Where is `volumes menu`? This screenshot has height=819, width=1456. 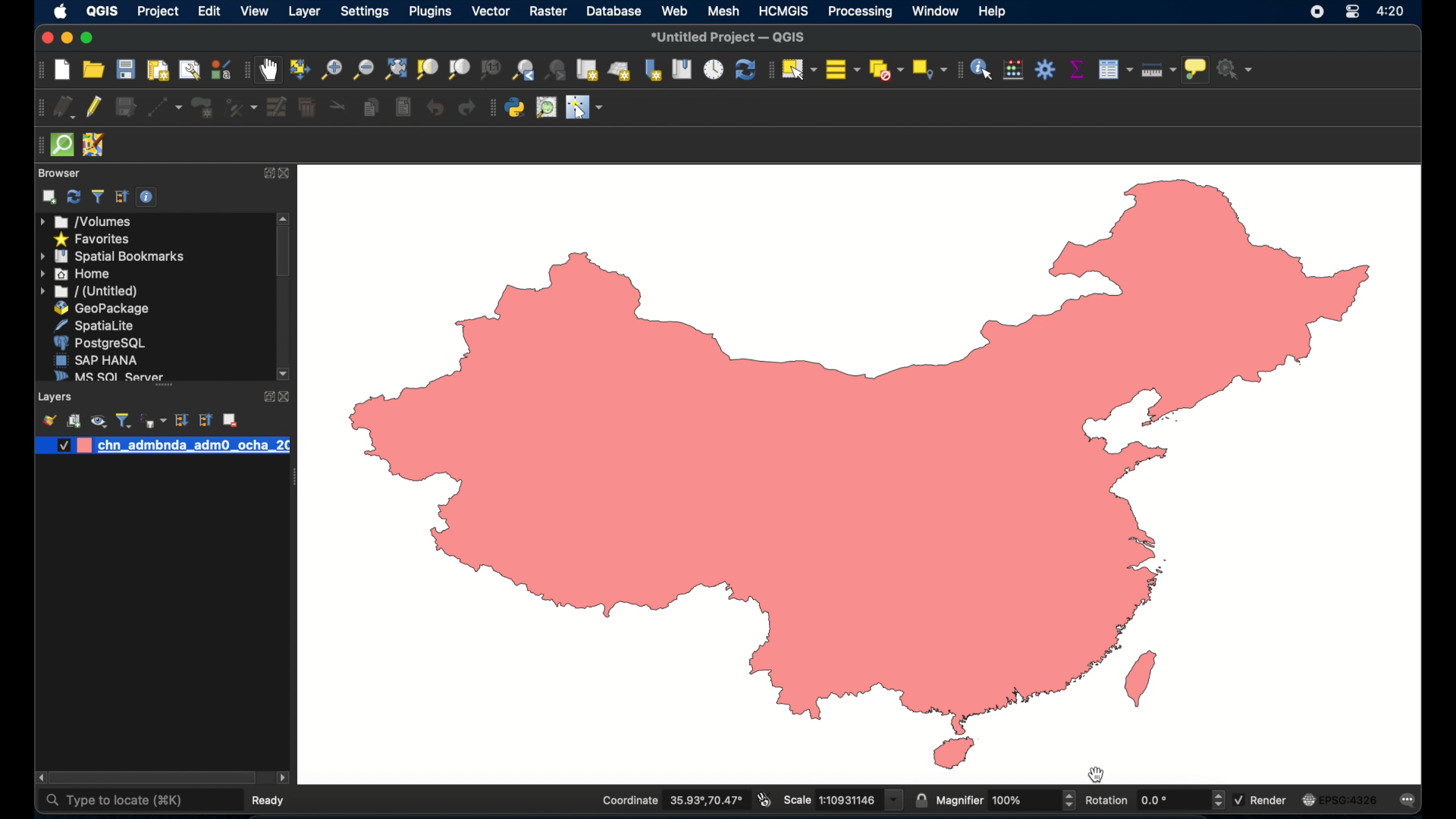
volumes menu is located at coordinates (87, 221).